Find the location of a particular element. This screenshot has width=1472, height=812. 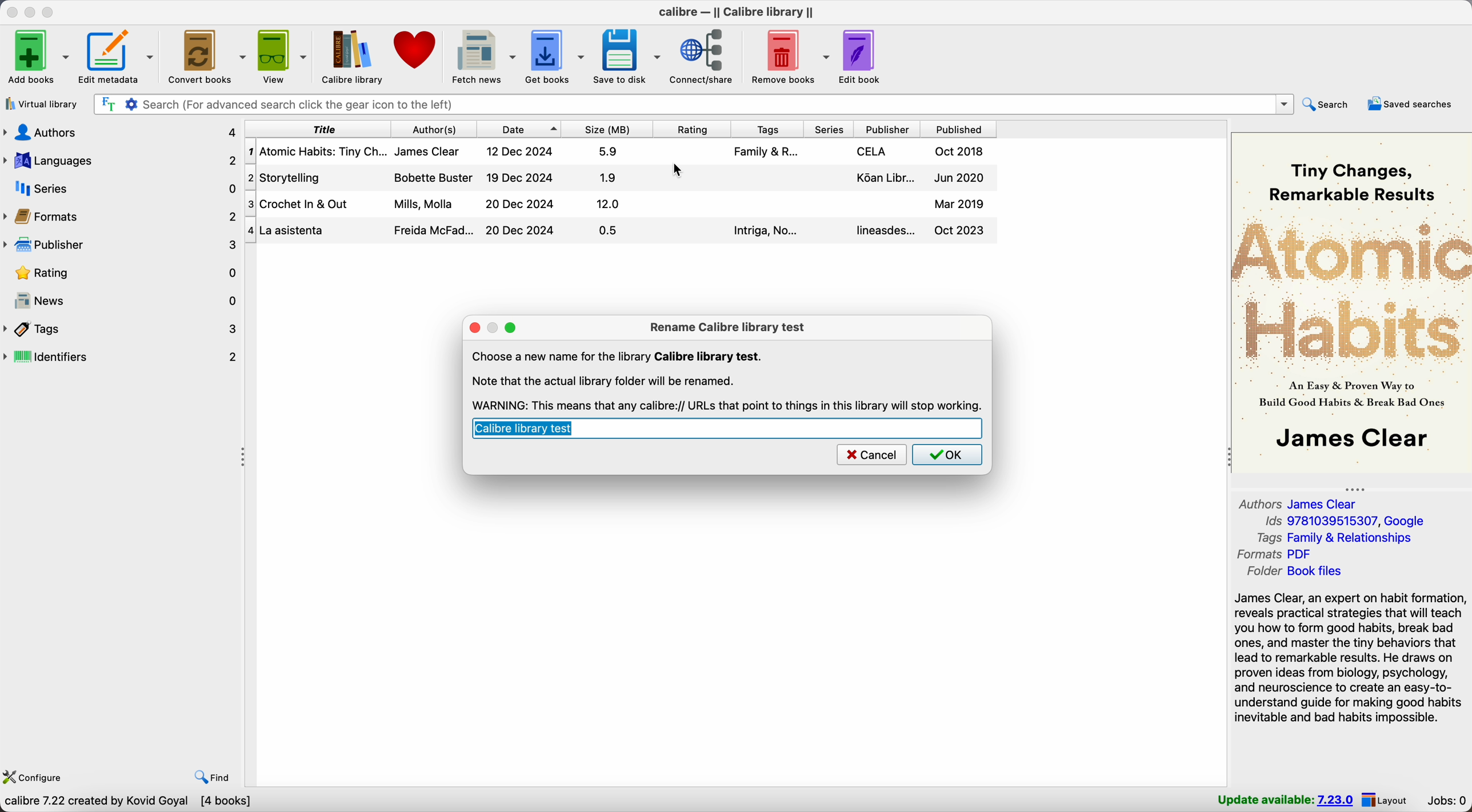

disable minimize popup is located at coordinates (495, 327).